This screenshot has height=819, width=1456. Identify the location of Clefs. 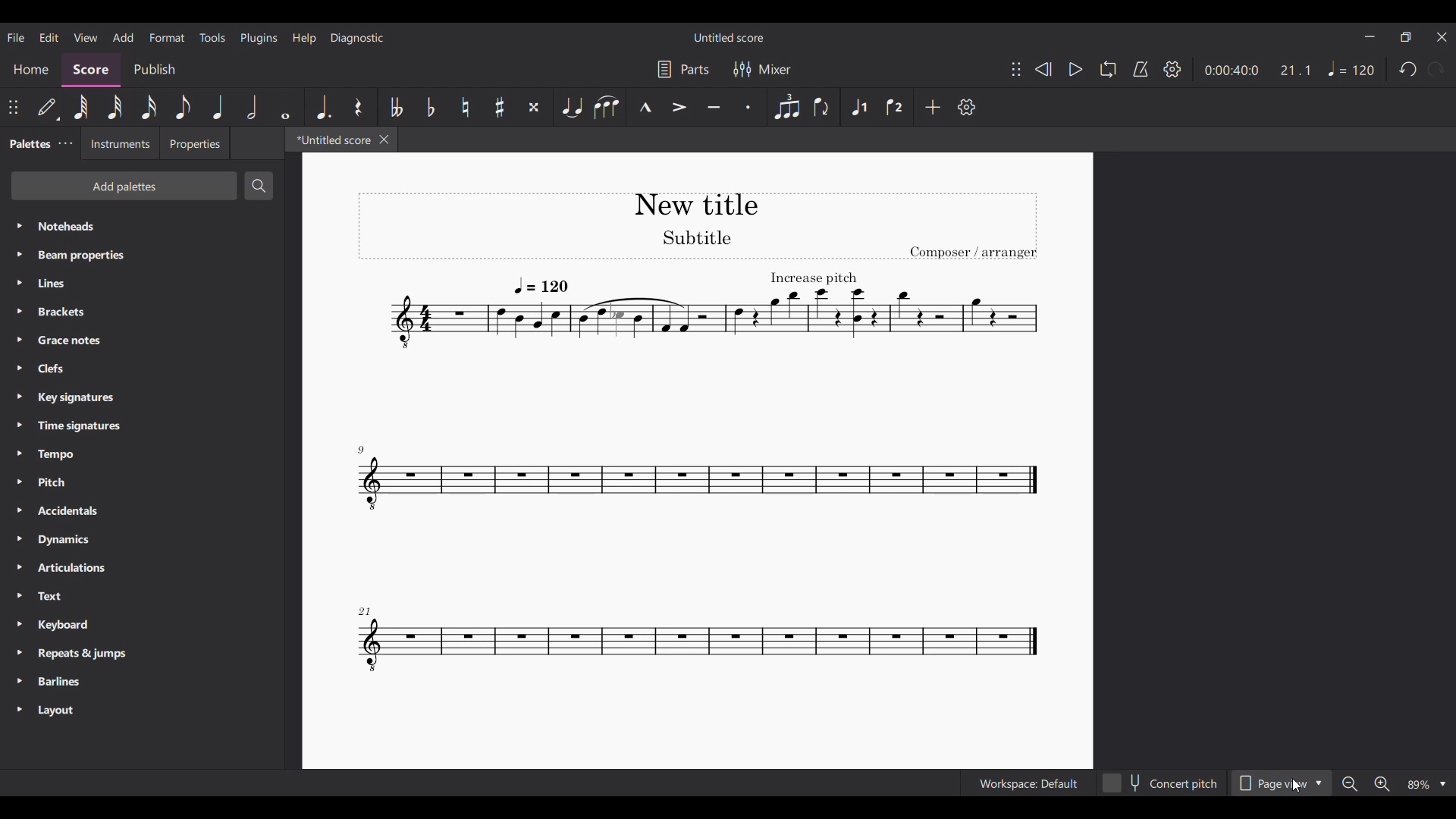
(142, 369).